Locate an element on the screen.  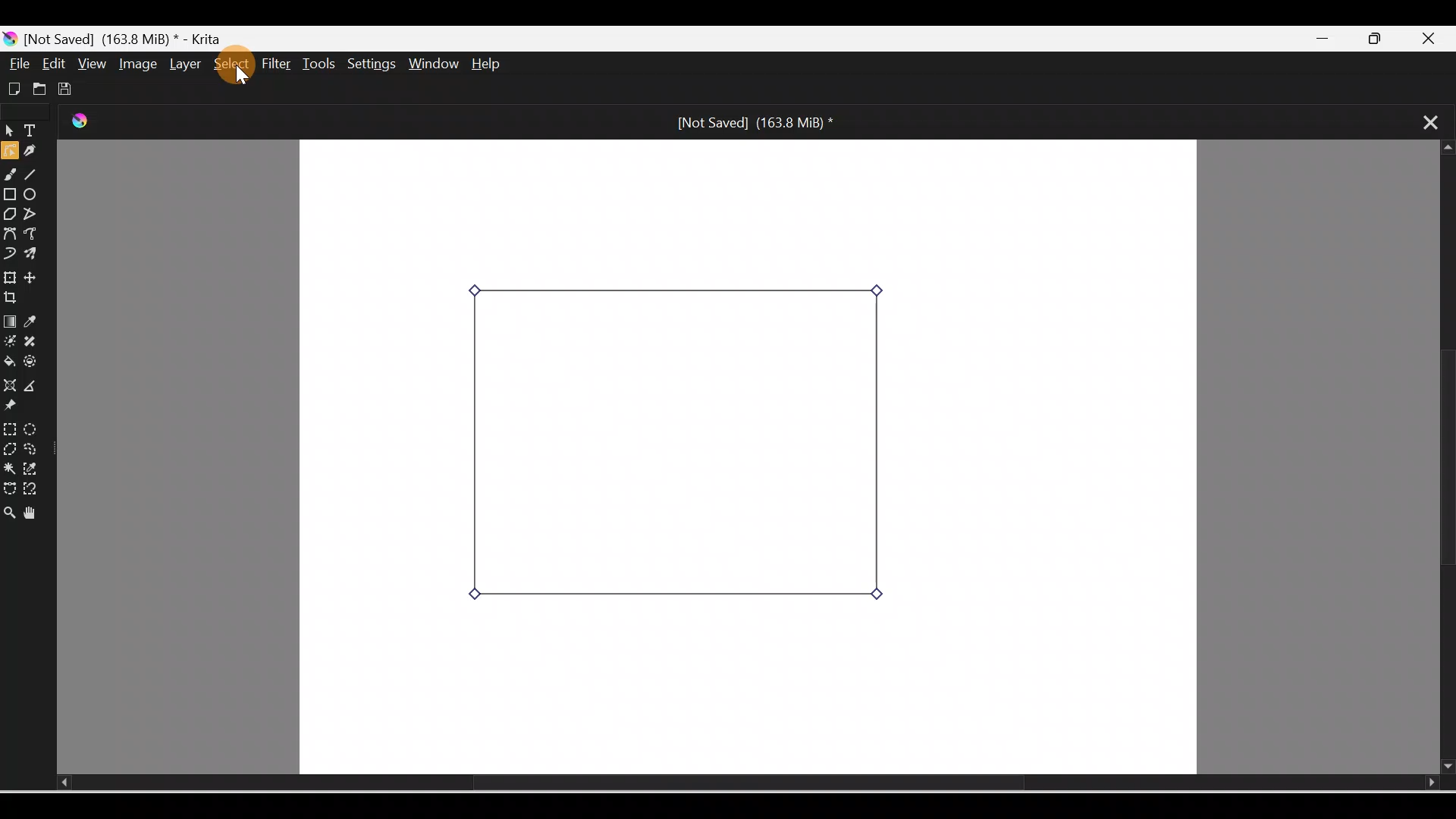
Ellipse is located at coordinates (35, 196).